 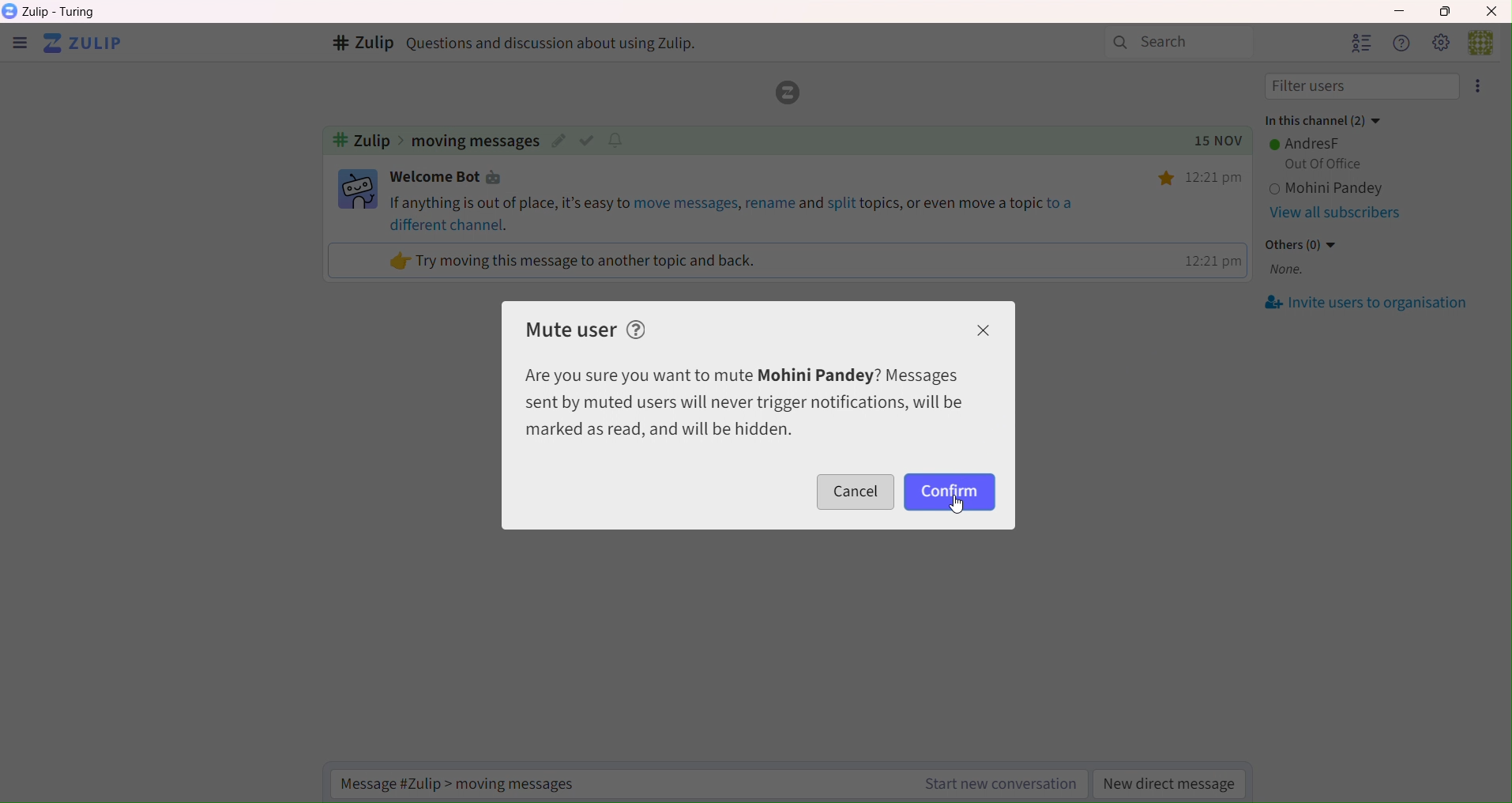 What do you see at coordinates (957, 508) in the screenshot?
I see `cursor` at bounding box center [957, 508].